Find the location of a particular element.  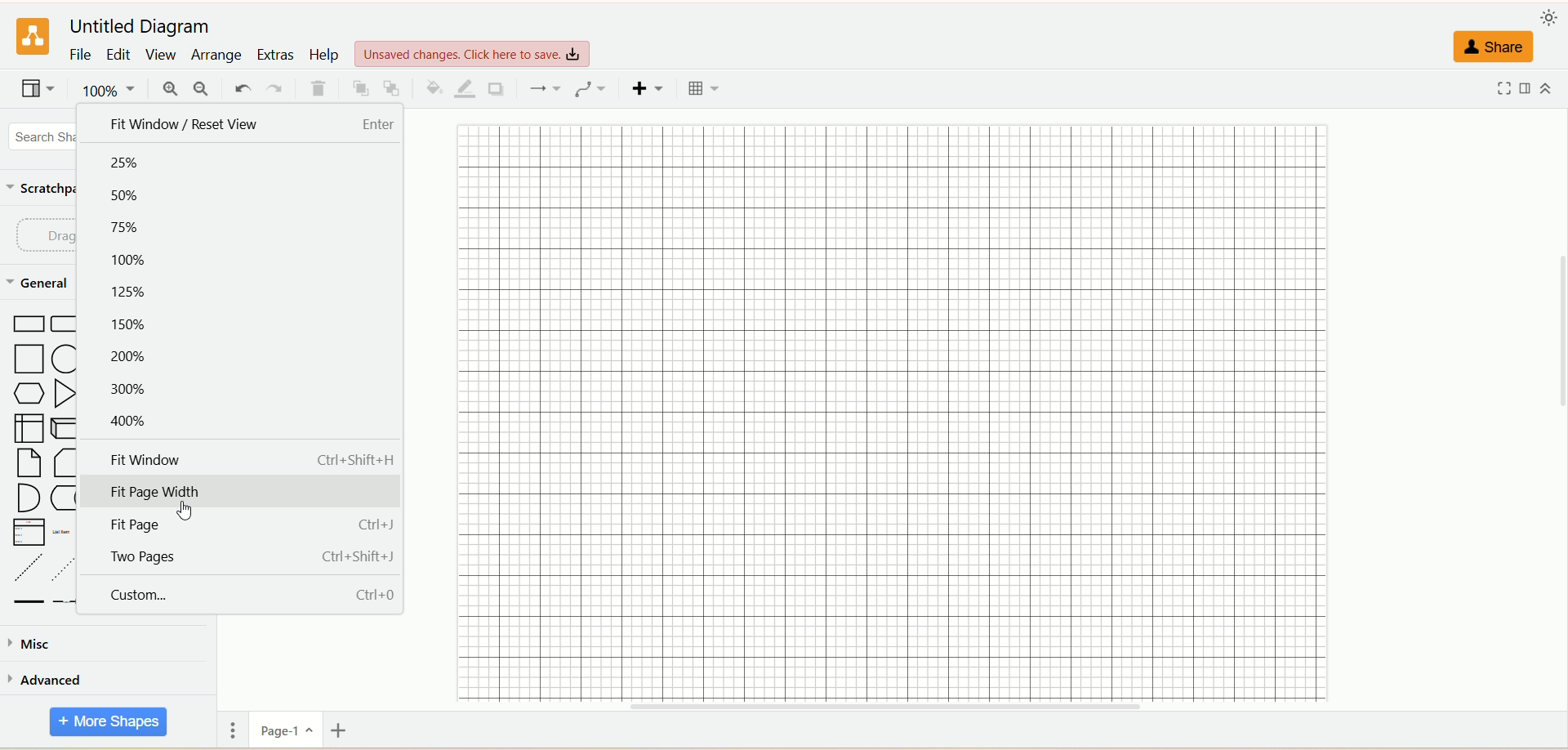

undo is located at coordinates (243, 87).